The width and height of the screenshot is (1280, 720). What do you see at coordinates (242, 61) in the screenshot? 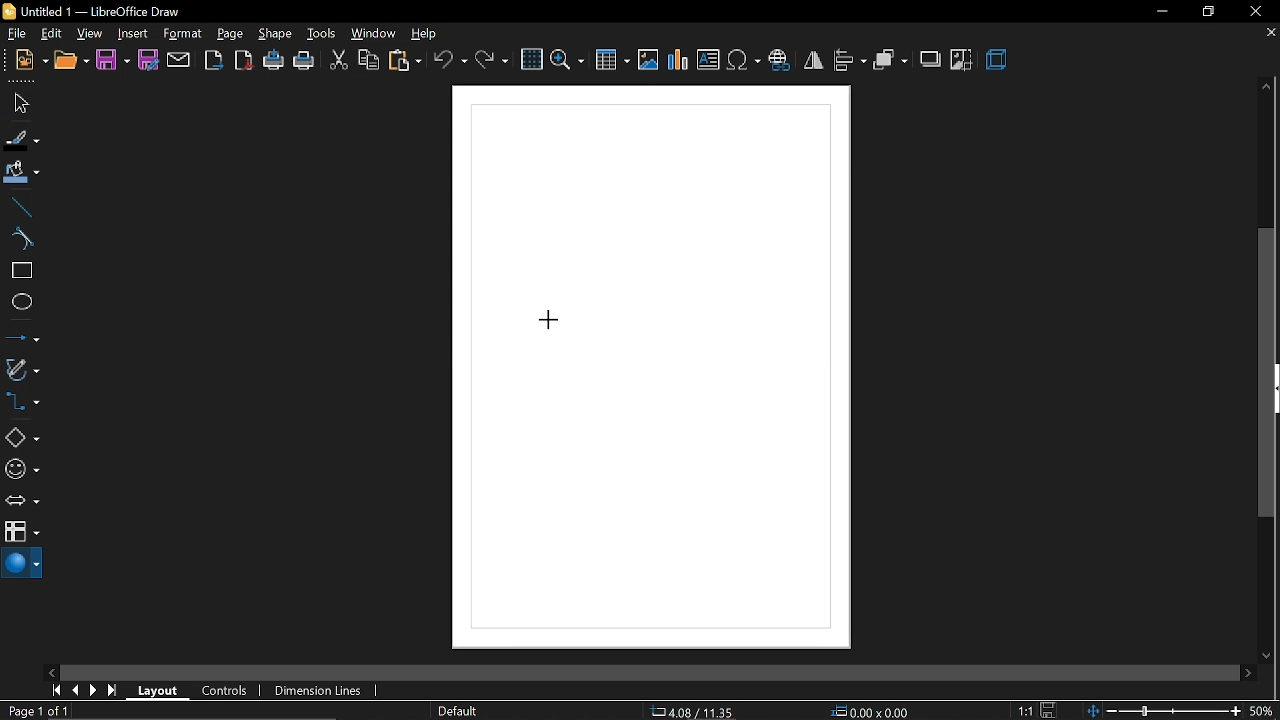
I see `export as pdf` at bounding box center [242, 61].